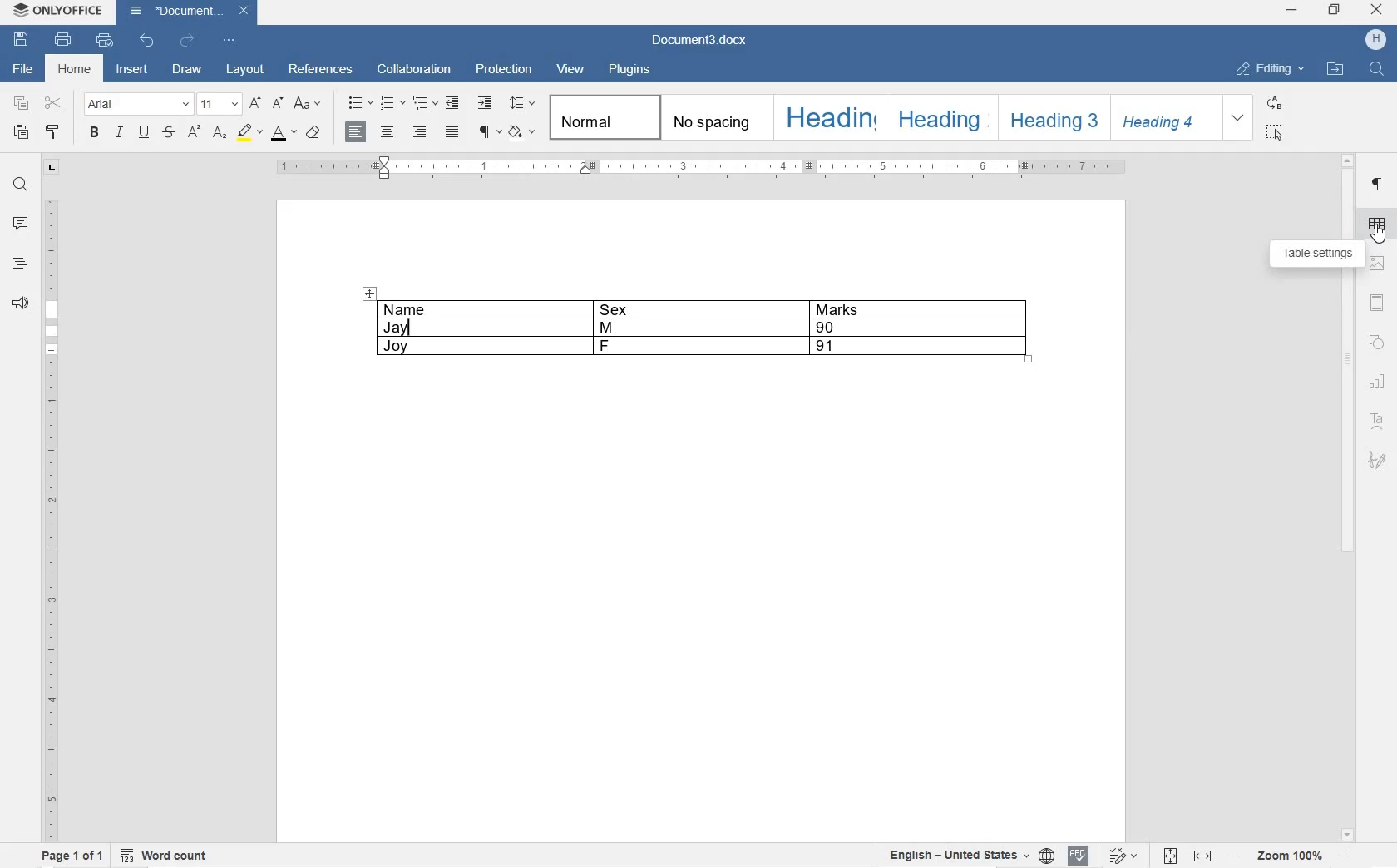 The width and height of the screenshot is (1397, 868). I want to click on WORD COUNT, so click(164, 855).